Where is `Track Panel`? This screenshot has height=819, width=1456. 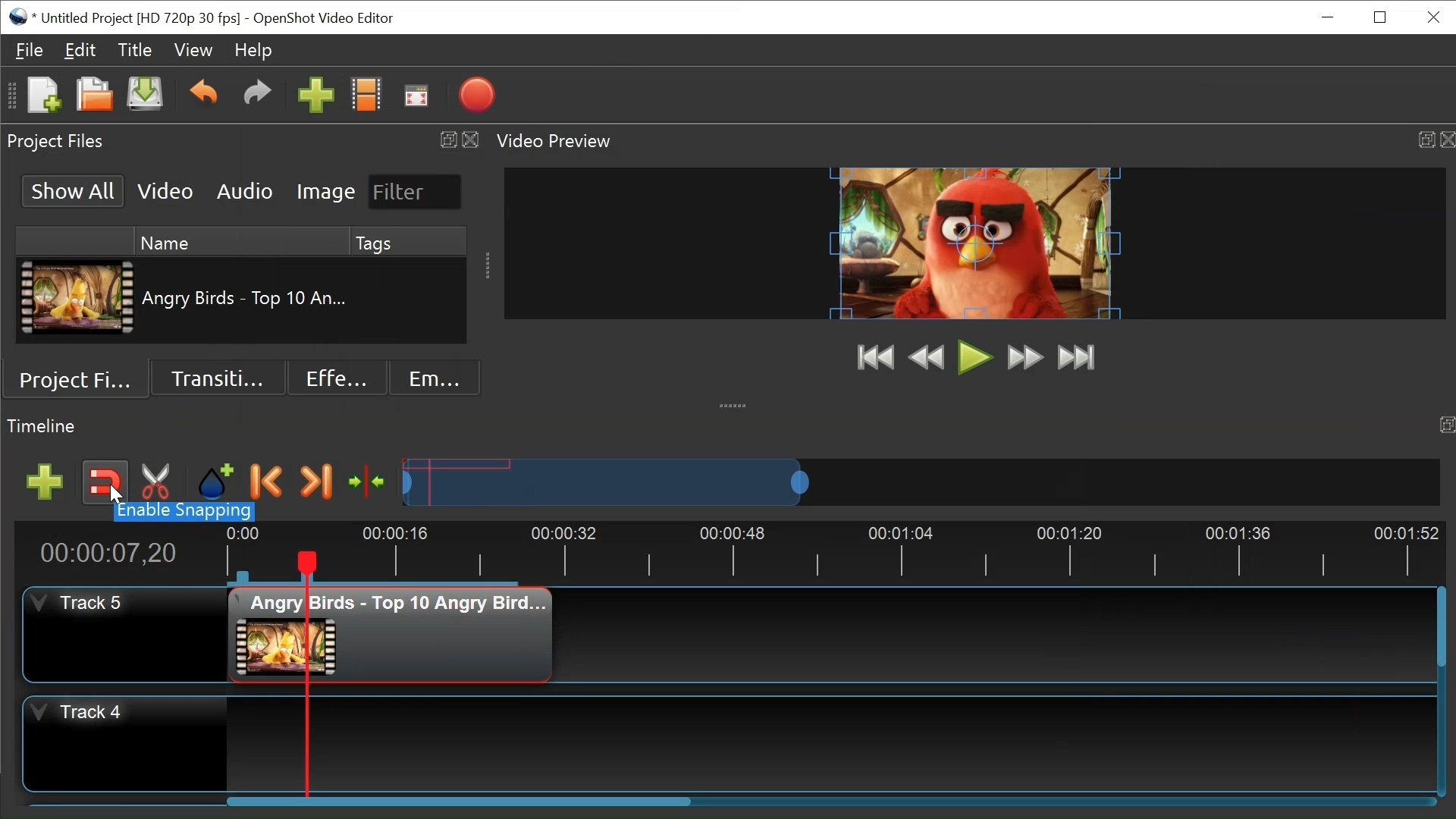
Track Panel is located at coordinates (830, 743).